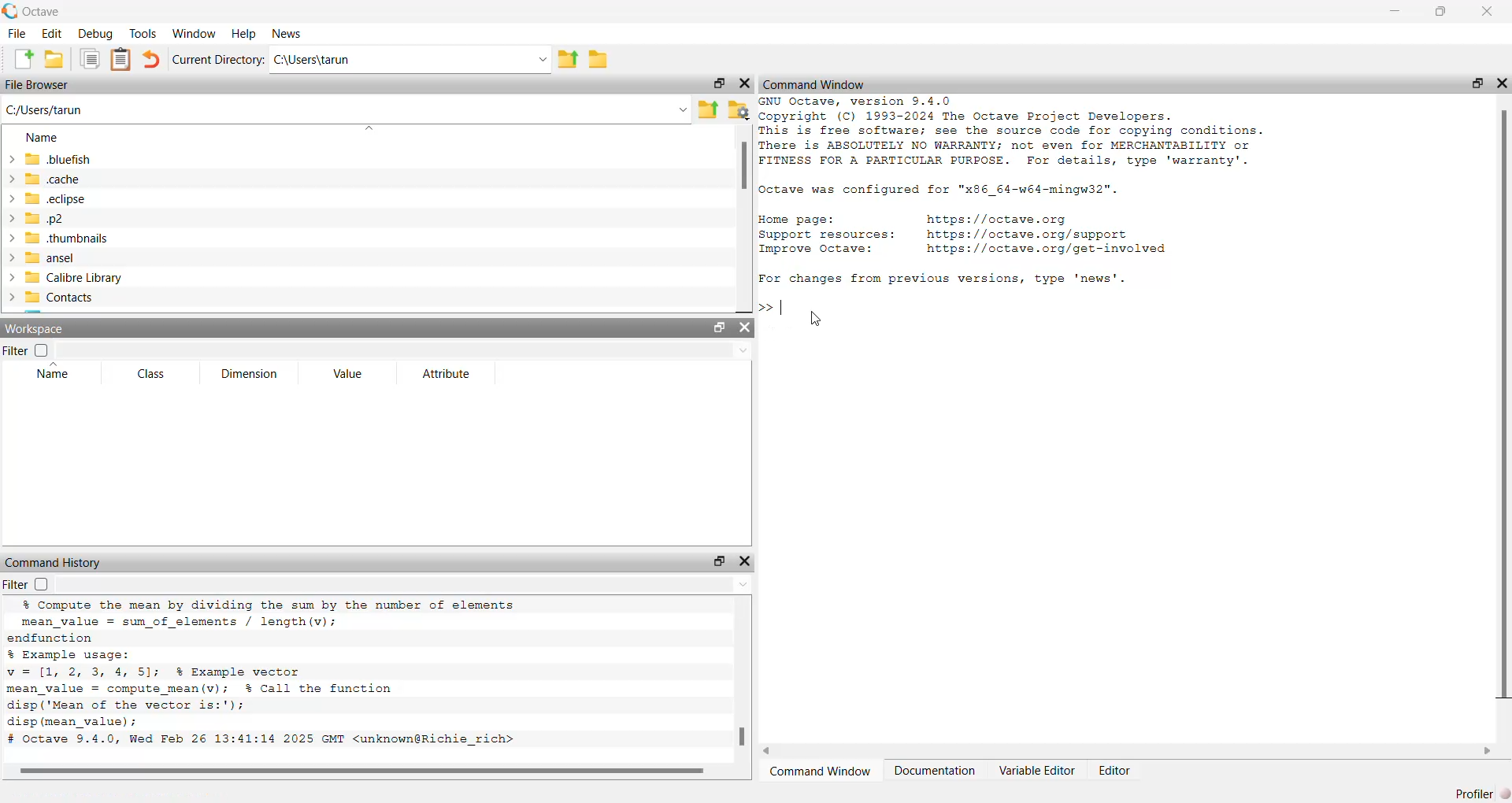 Image resolution: width=1512 pixels, height=803 pixels. Describe the element at coordinates (348, 373) in the screenshot. I see `Value` at that location.